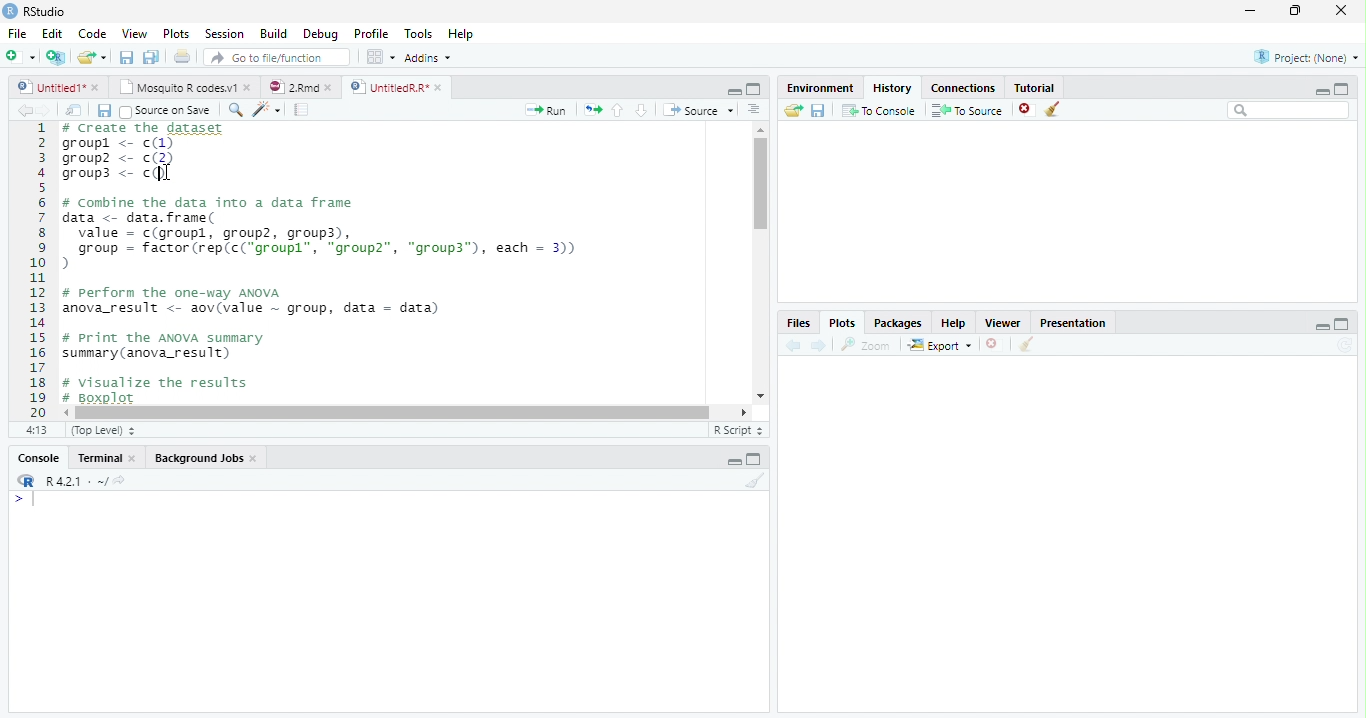  I want to click on Cursor, so click(38, 501).